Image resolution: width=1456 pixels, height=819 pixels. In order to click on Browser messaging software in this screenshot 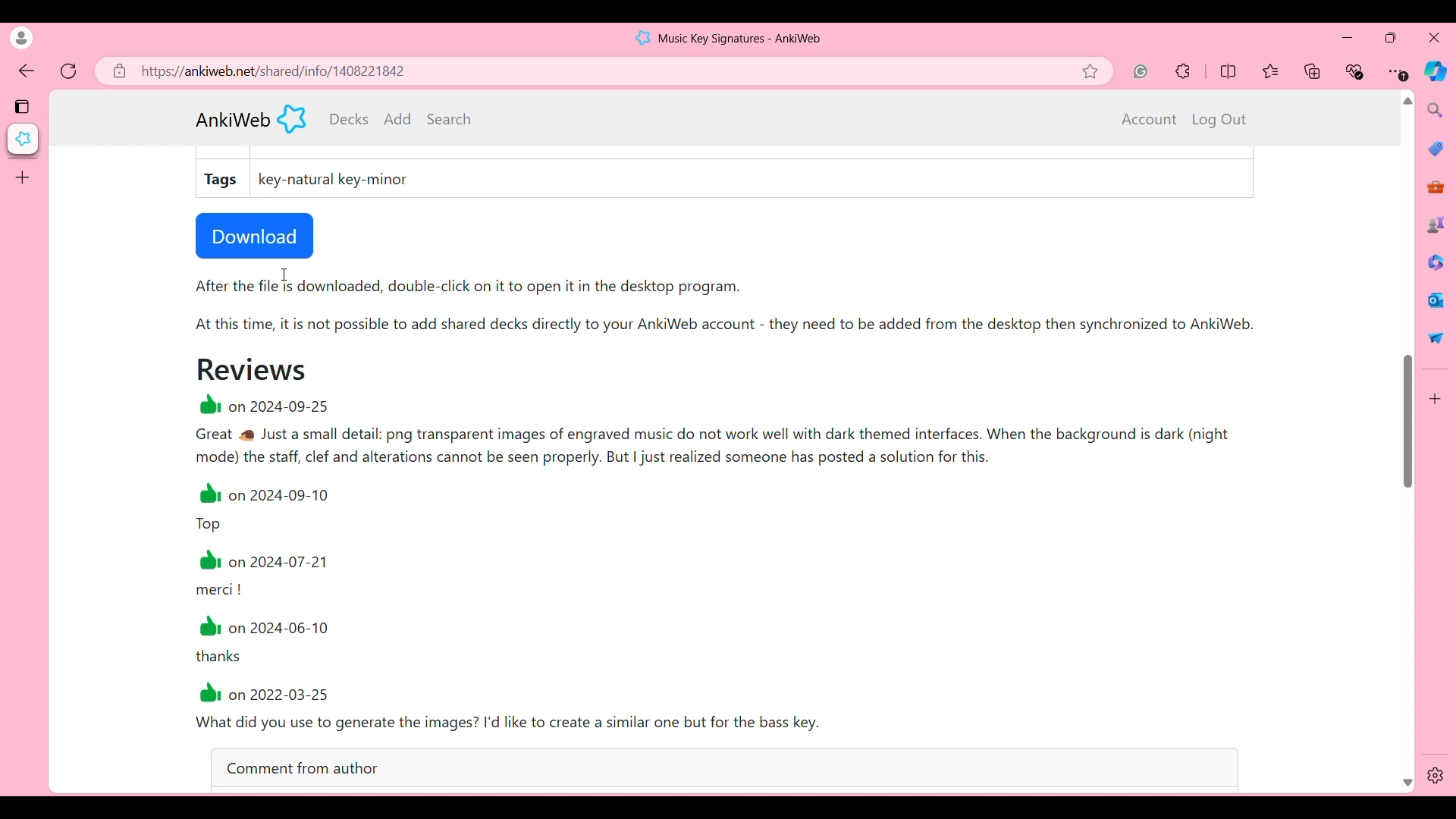, I will do `click(1436, 300)`.